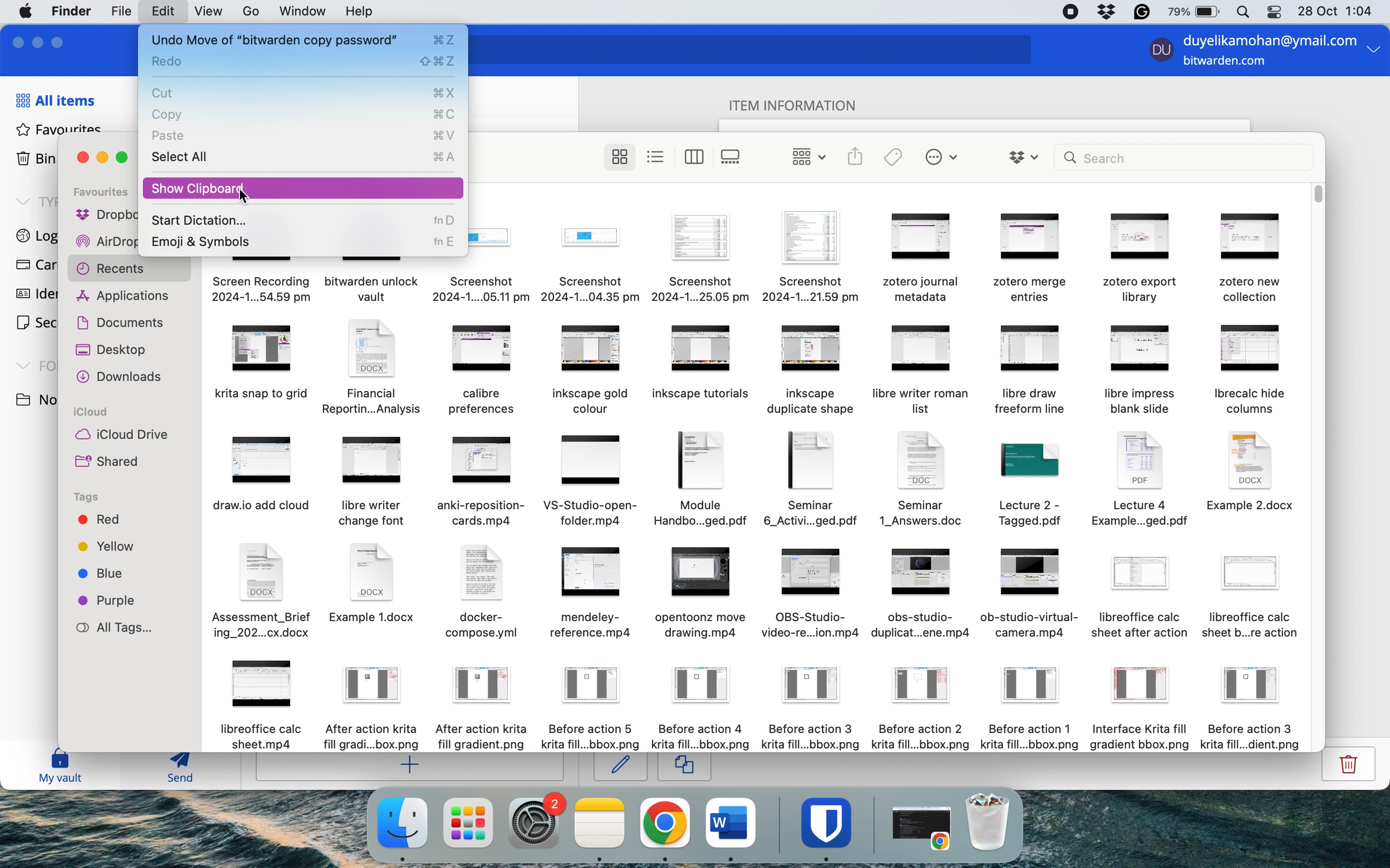 The image size is (1390, 868). I want to click on launchpad, so click(468, 822).